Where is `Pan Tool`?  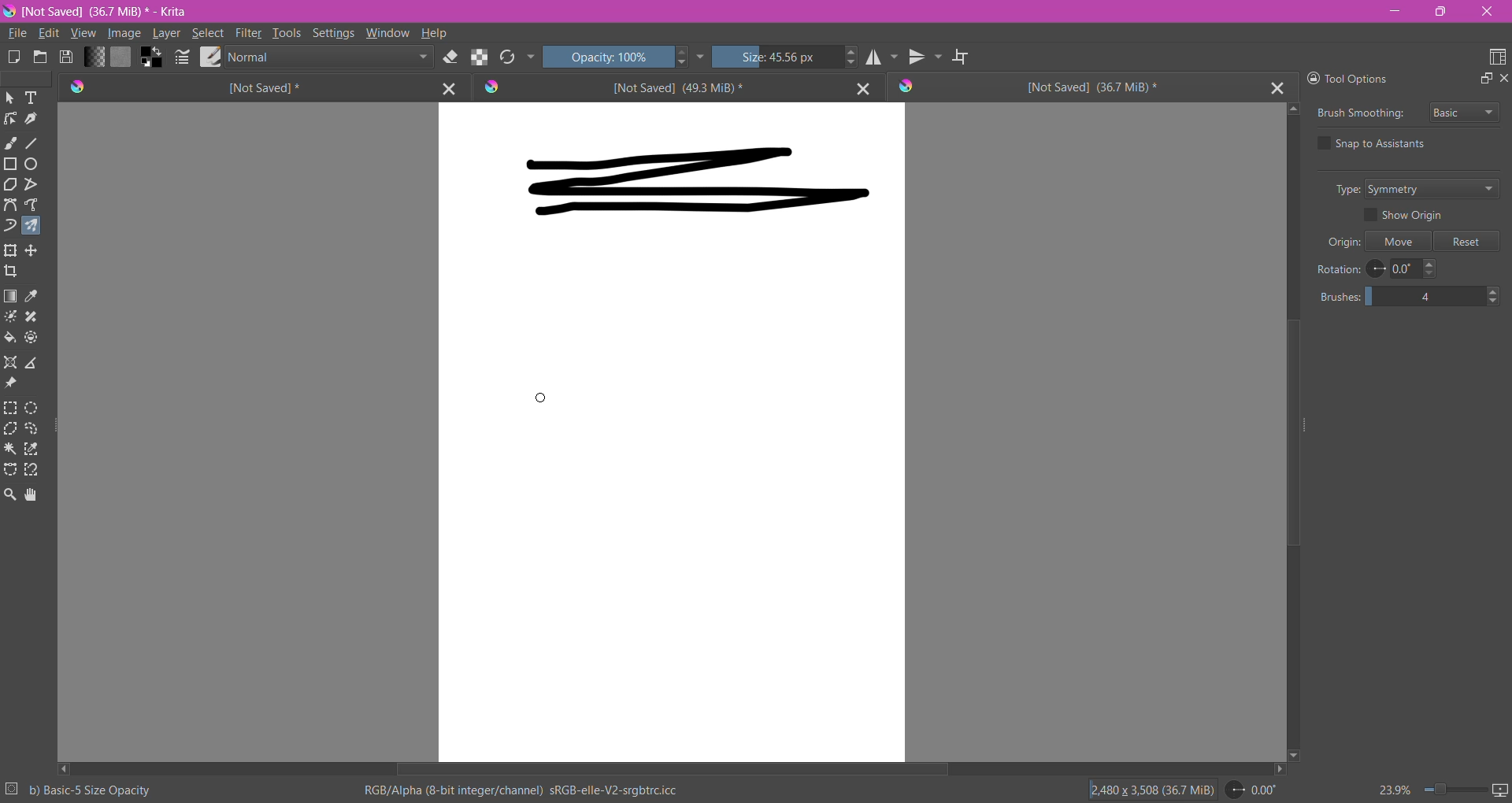 Pan Tool is located at coordinates (31, 495).